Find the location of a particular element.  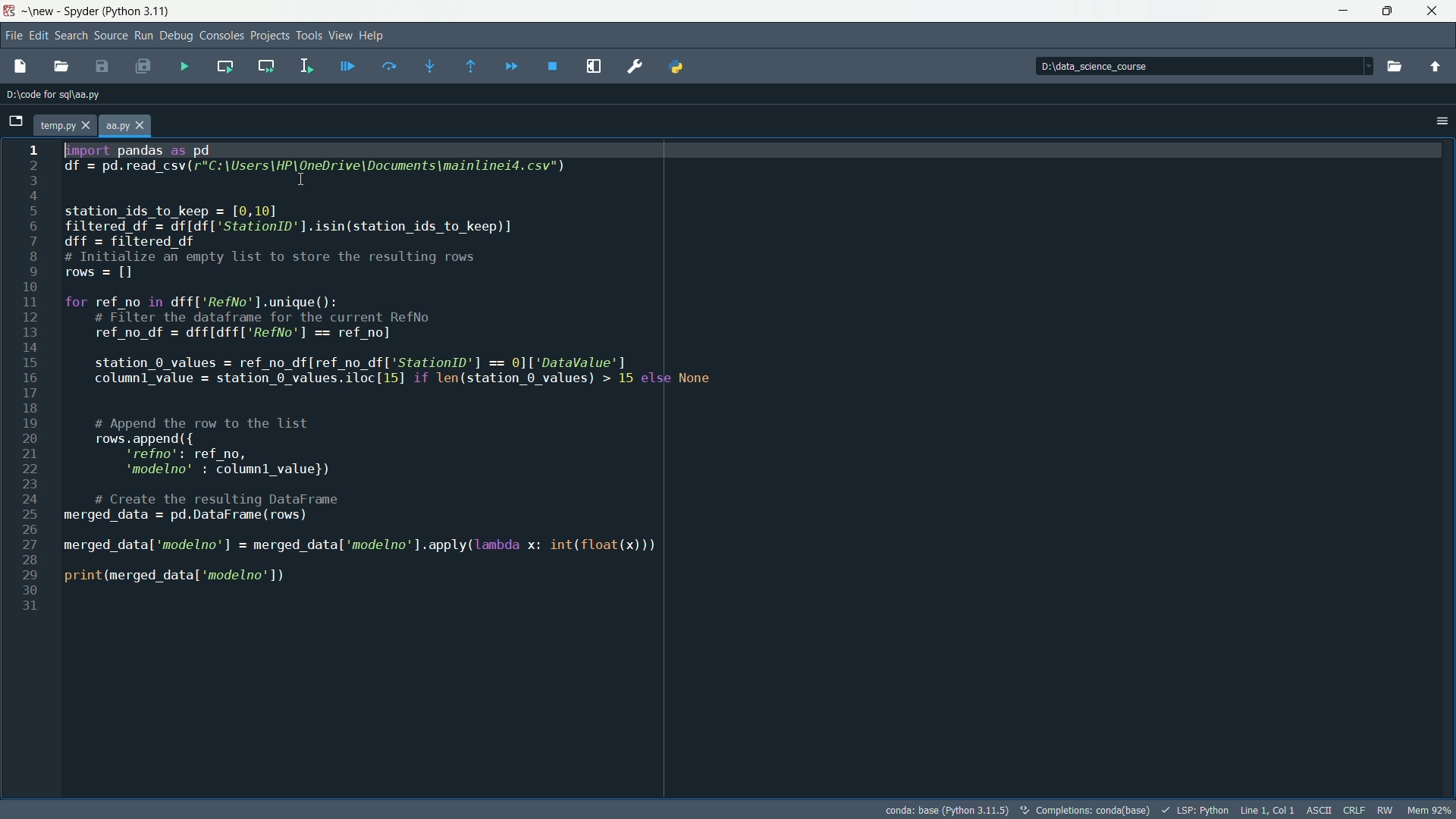

file encoding is located at coordinates (1319, 810).